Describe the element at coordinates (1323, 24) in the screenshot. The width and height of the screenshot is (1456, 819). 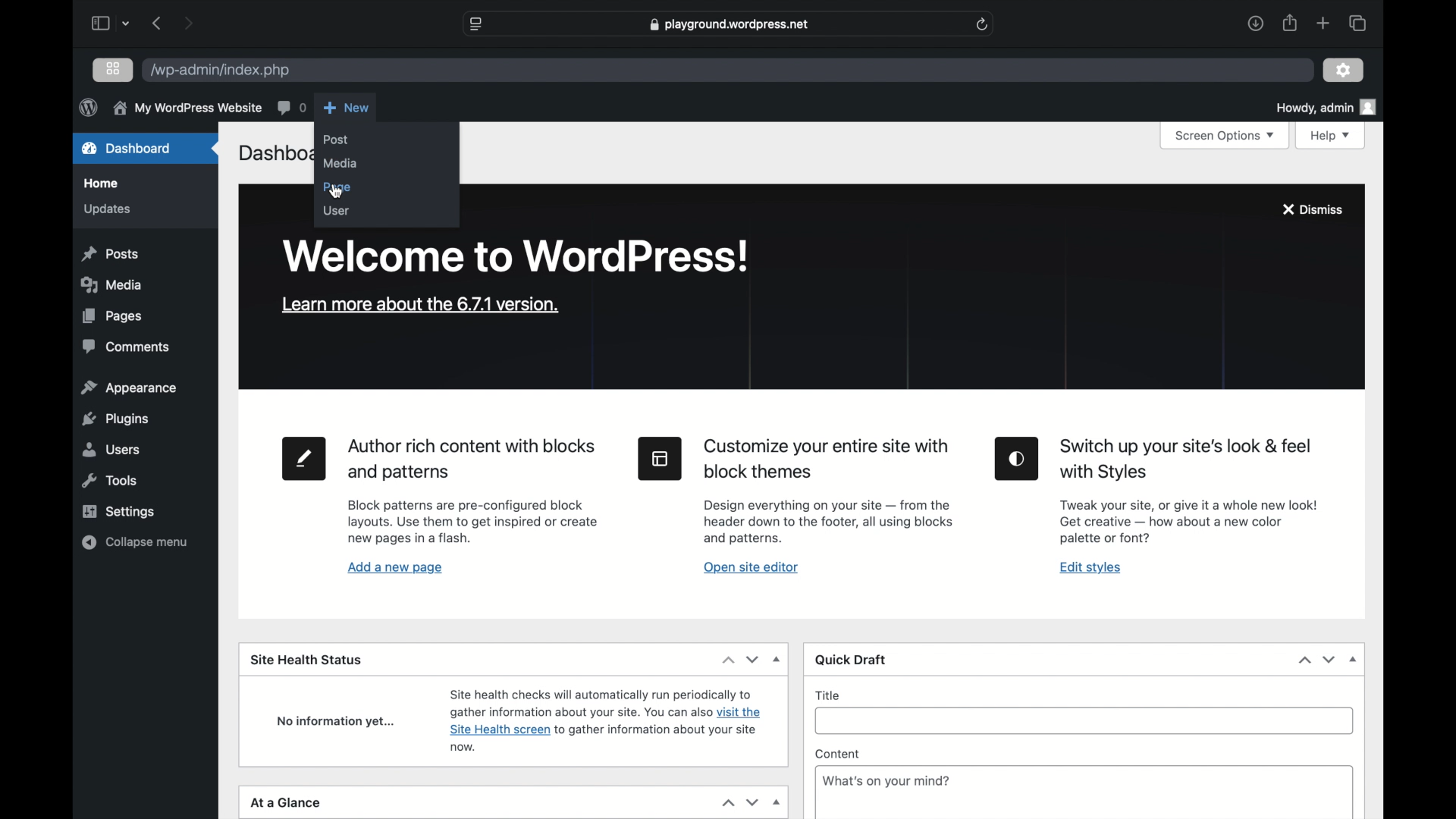
I see `new tab` at that location.